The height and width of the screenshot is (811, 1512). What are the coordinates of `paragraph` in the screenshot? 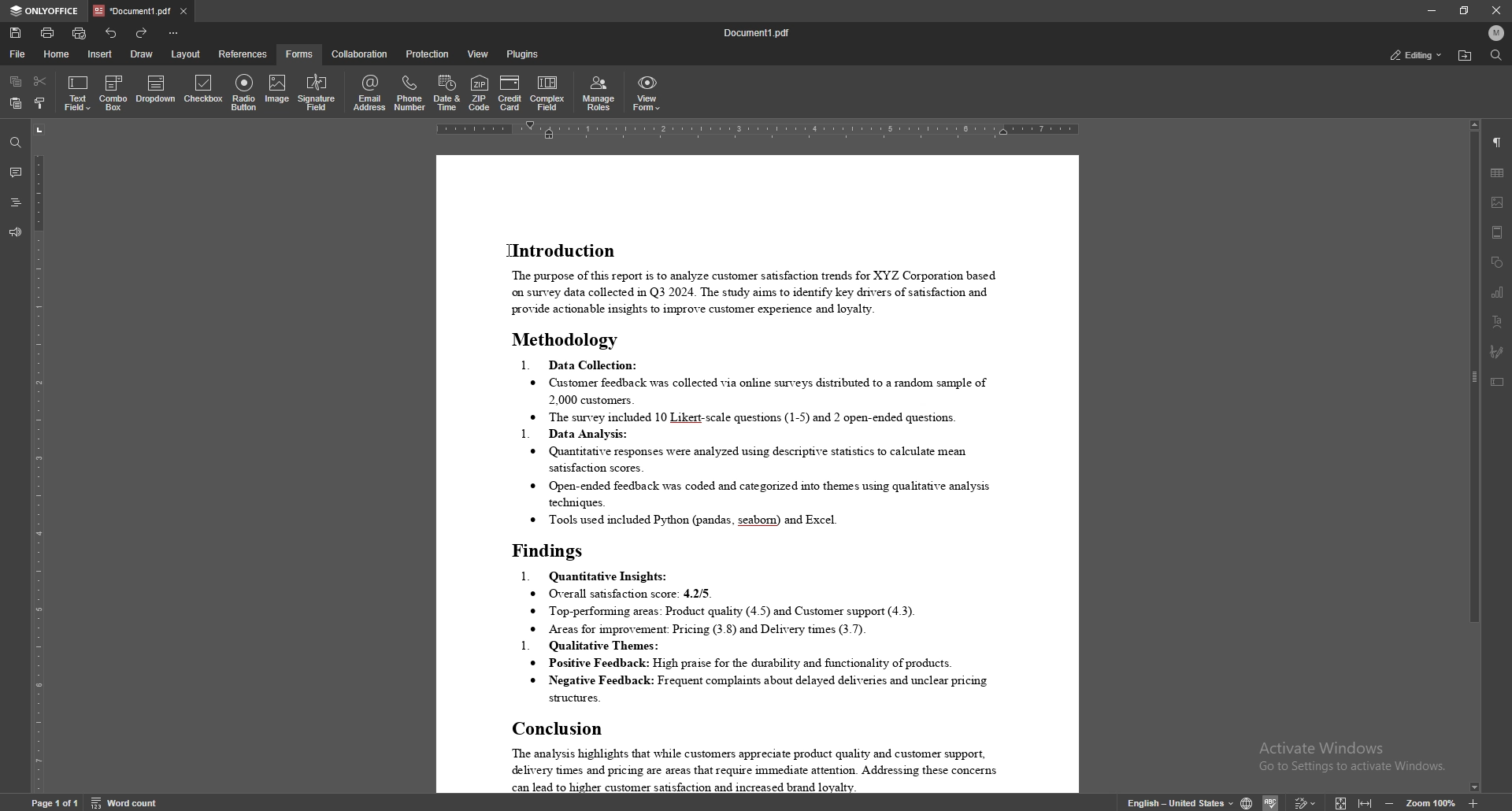 It's located at (1497, 143).